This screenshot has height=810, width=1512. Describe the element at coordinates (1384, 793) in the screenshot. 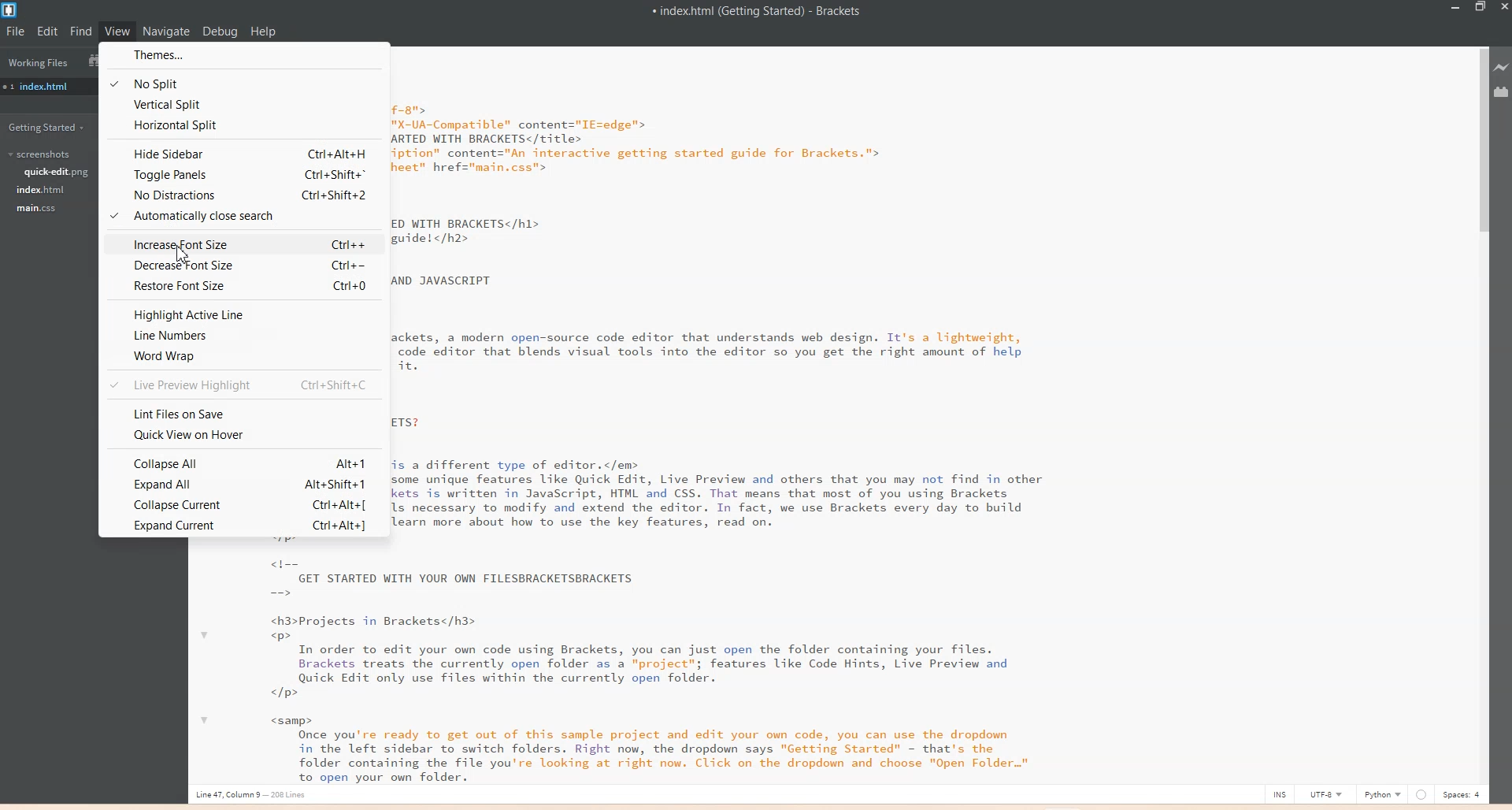

I see `Python` at that location.